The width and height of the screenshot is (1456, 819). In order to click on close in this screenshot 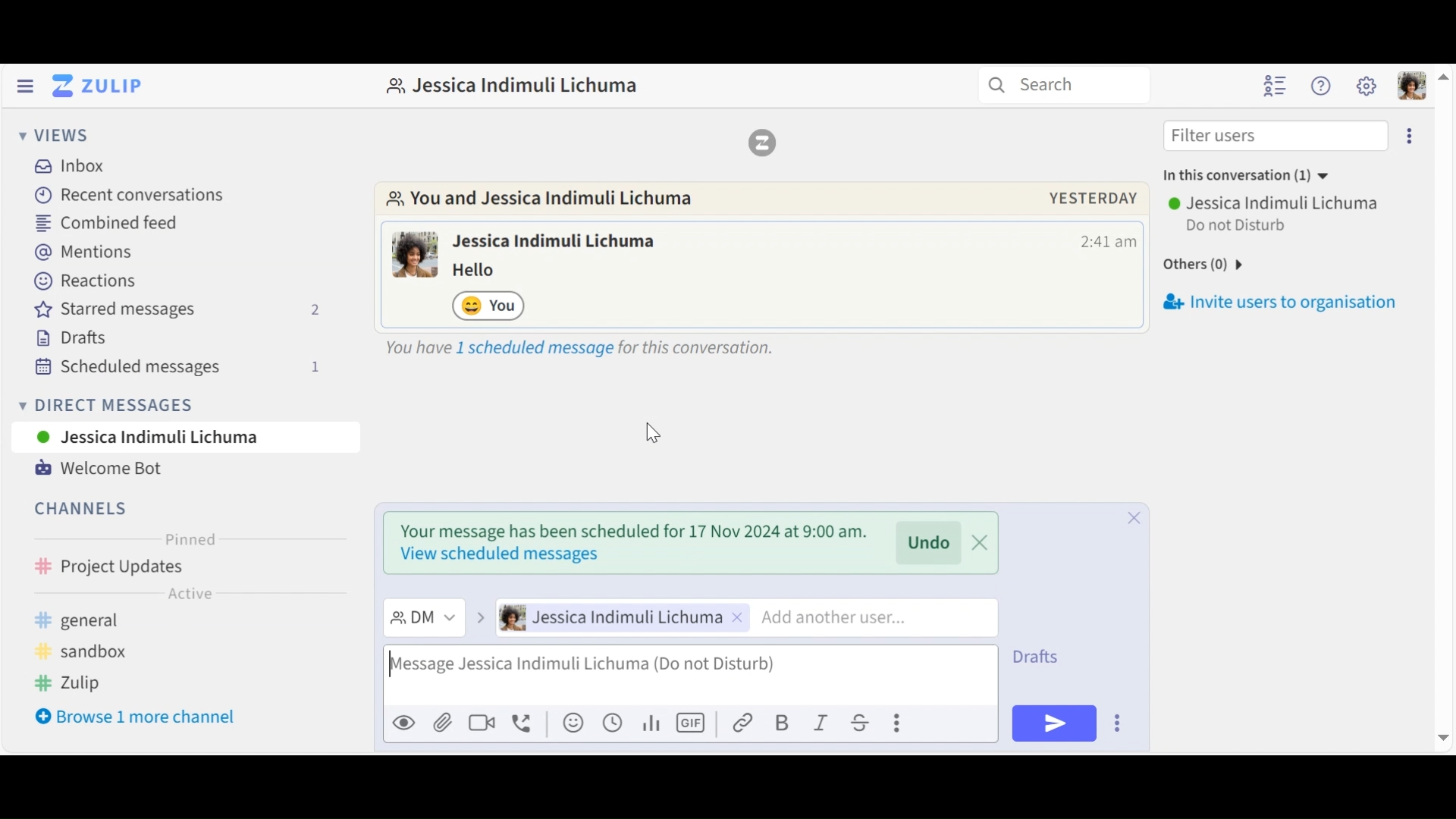, I will do `click(1132, 516)`.